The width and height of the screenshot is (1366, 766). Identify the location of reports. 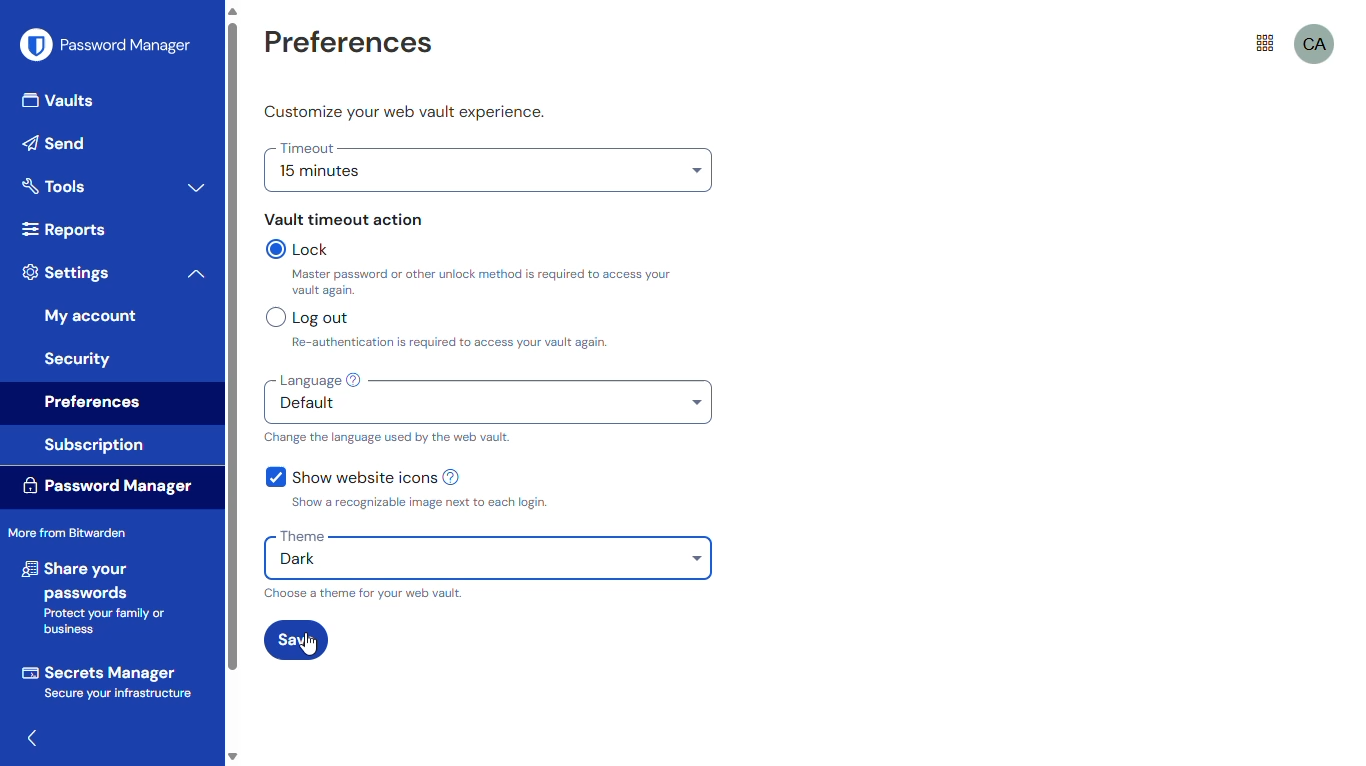
(62, 229).